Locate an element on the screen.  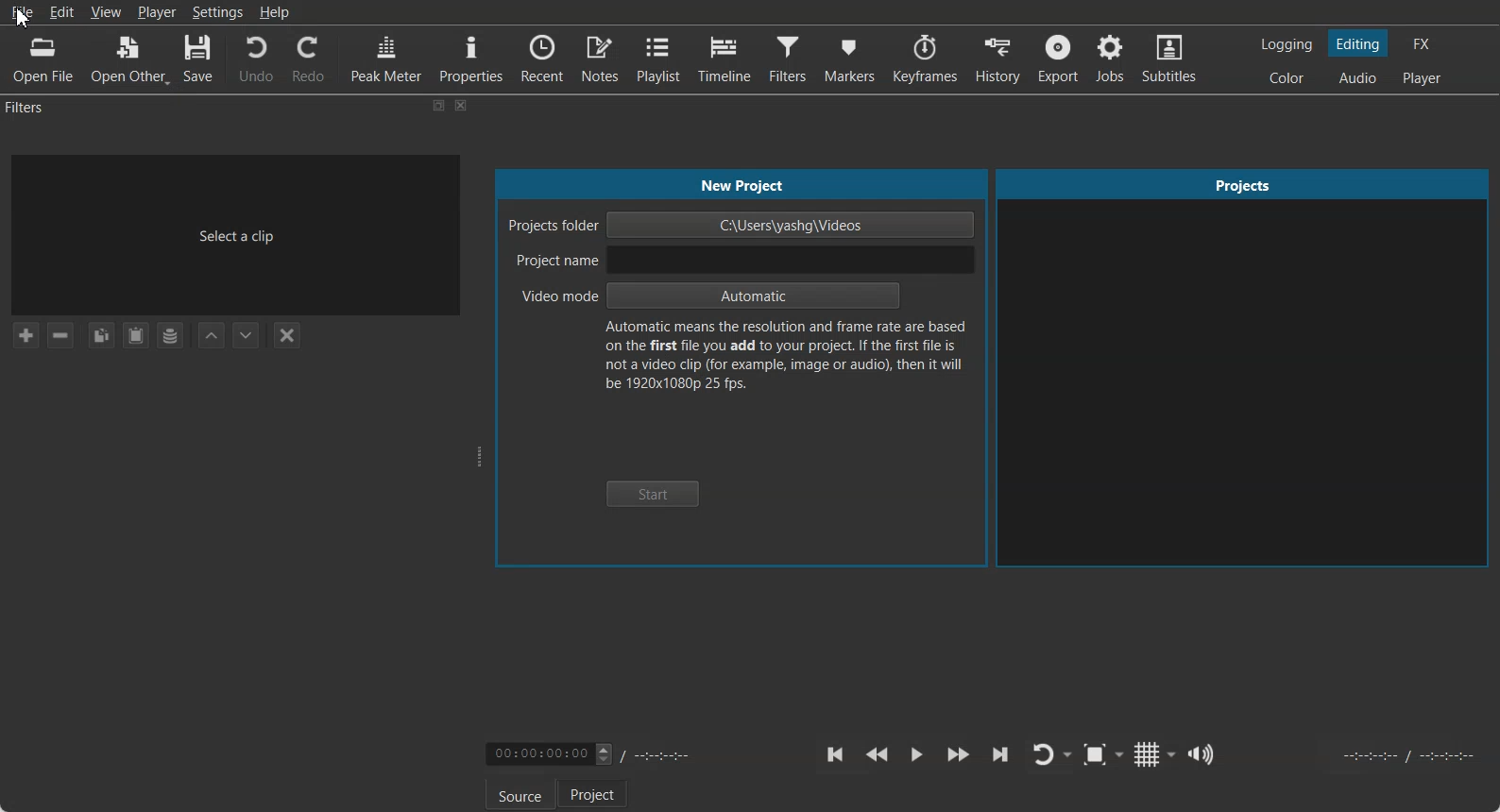
Automatic is located at coordinates (751, 296).